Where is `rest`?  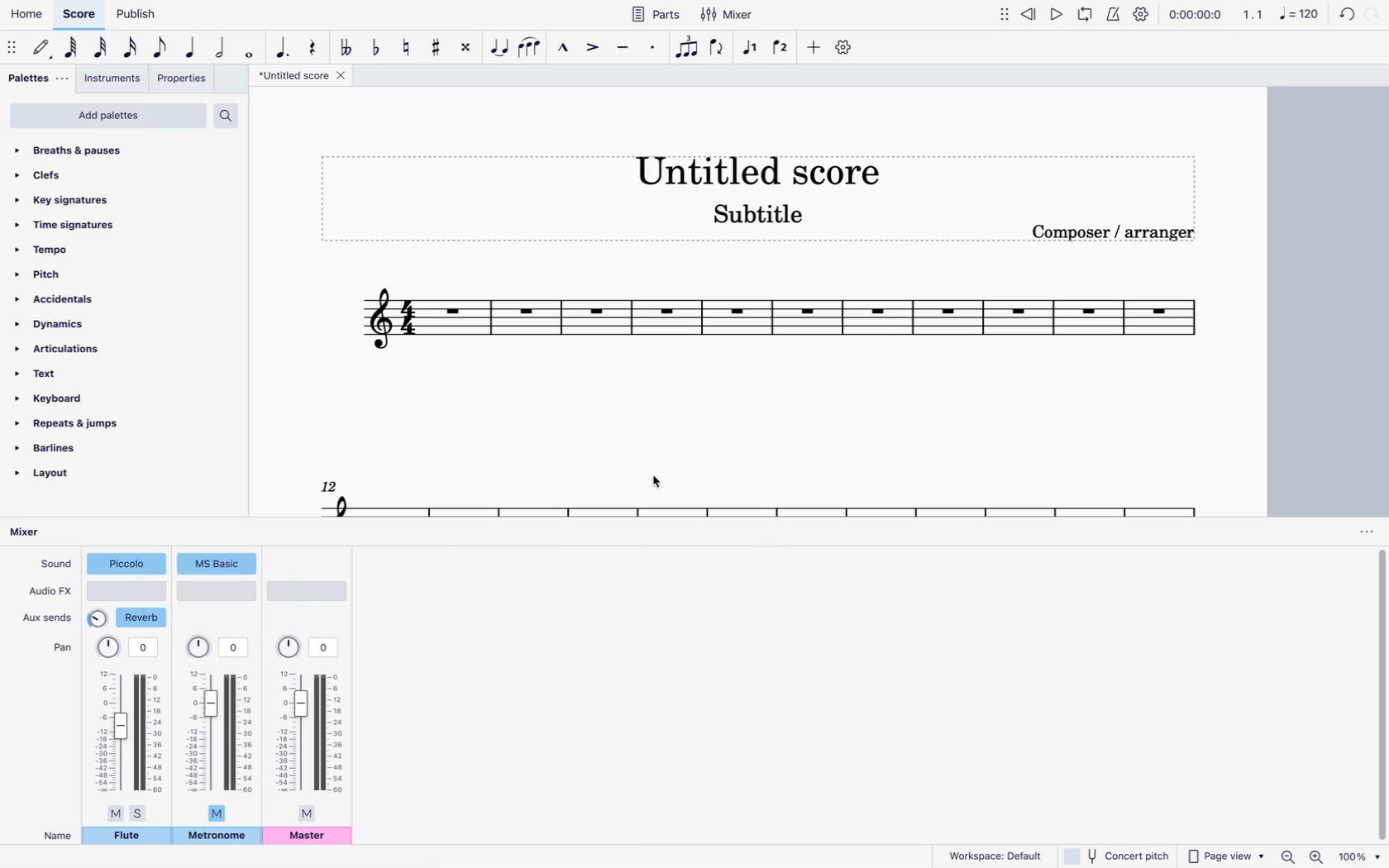 rest is located at coordinates (313, 44).